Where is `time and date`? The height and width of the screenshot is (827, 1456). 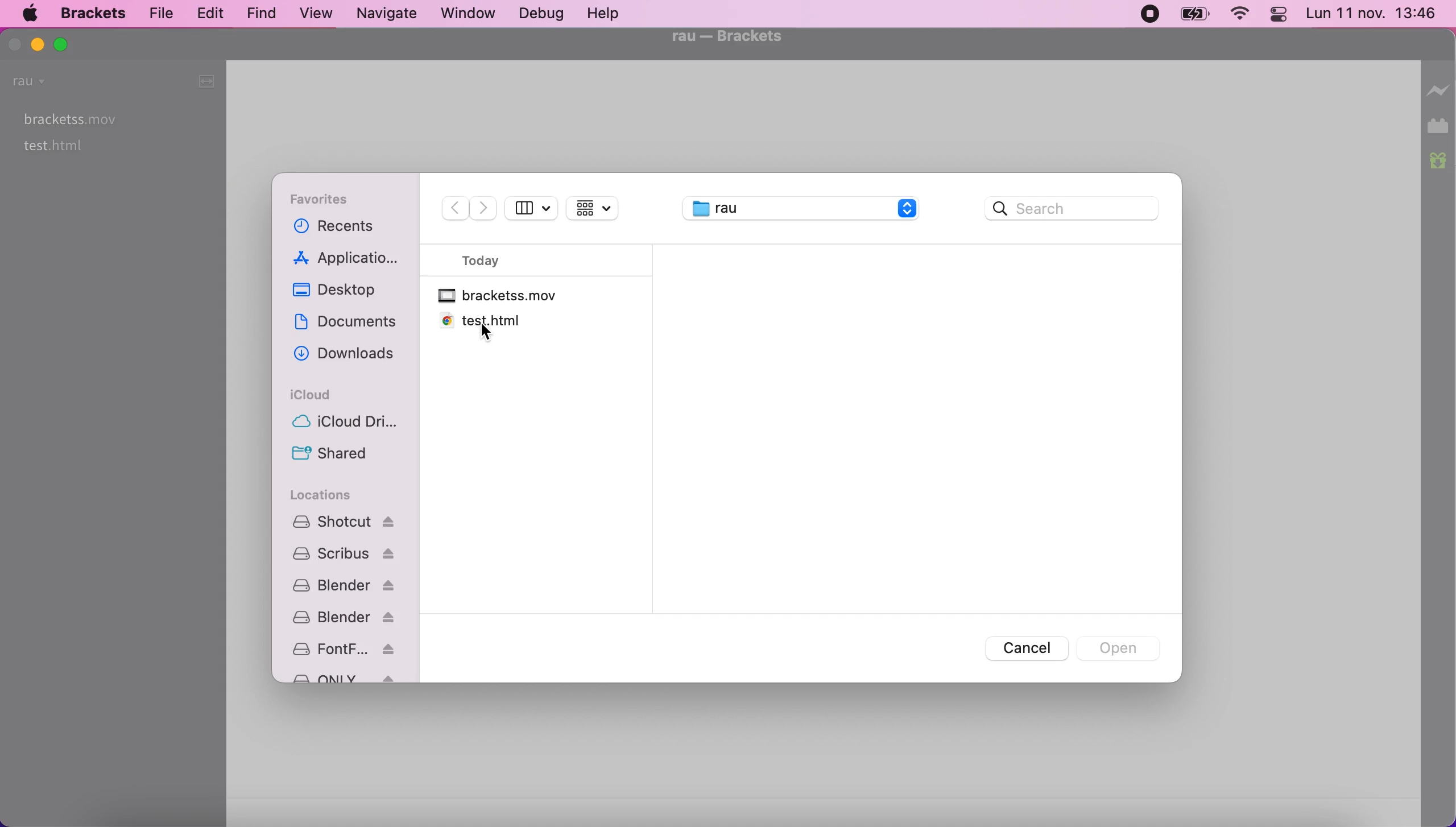 time and date is located at coordinates (1372, 15).